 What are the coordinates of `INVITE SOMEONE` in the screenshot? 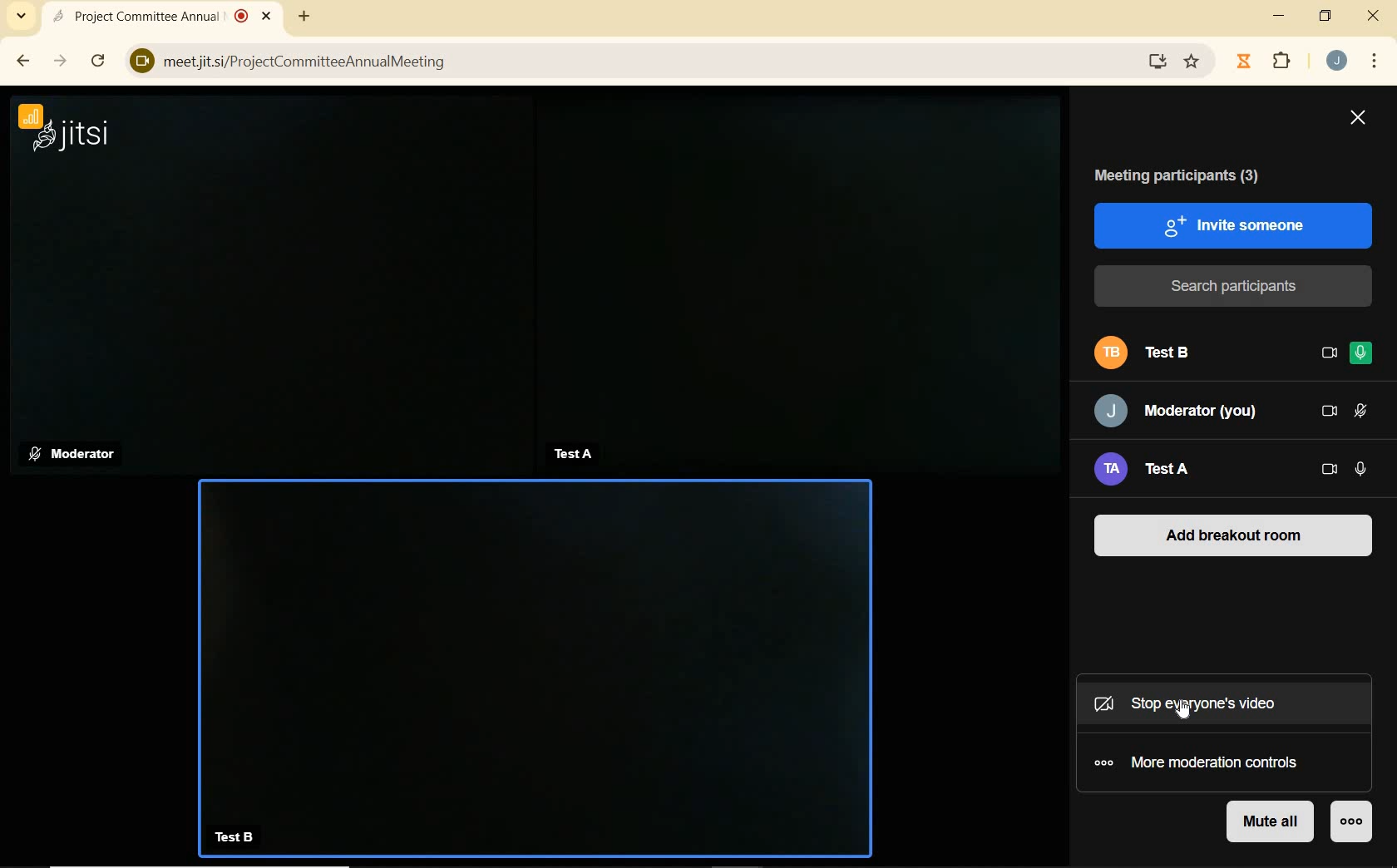 It's located at (1235, 224).